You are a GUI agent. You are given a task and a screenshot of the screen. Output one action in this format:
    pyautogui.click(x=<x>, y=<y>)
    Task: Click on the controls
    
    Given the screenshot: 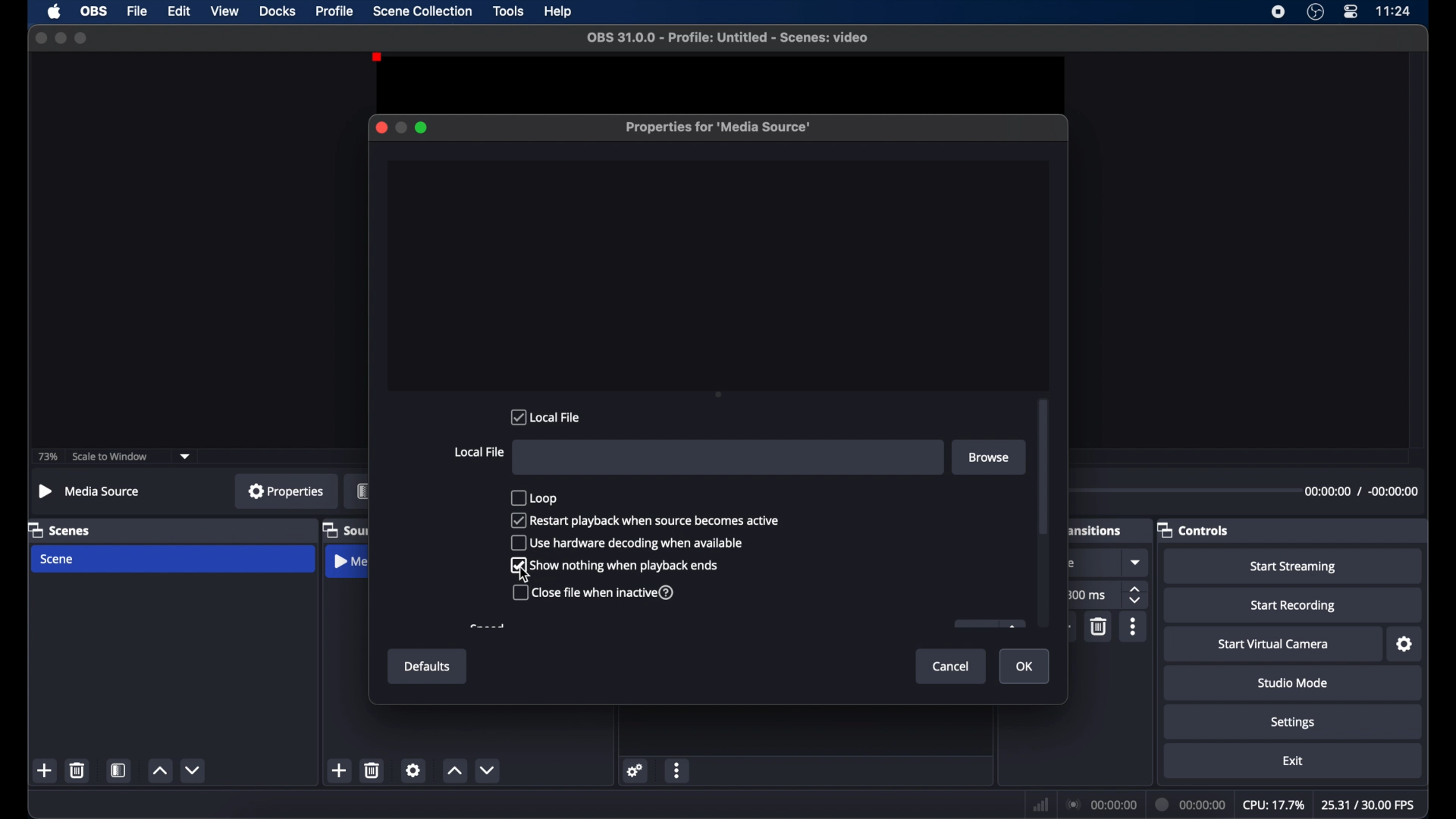 What is the action you would take?
    pyautogui.click(x=1194, y=531)
    